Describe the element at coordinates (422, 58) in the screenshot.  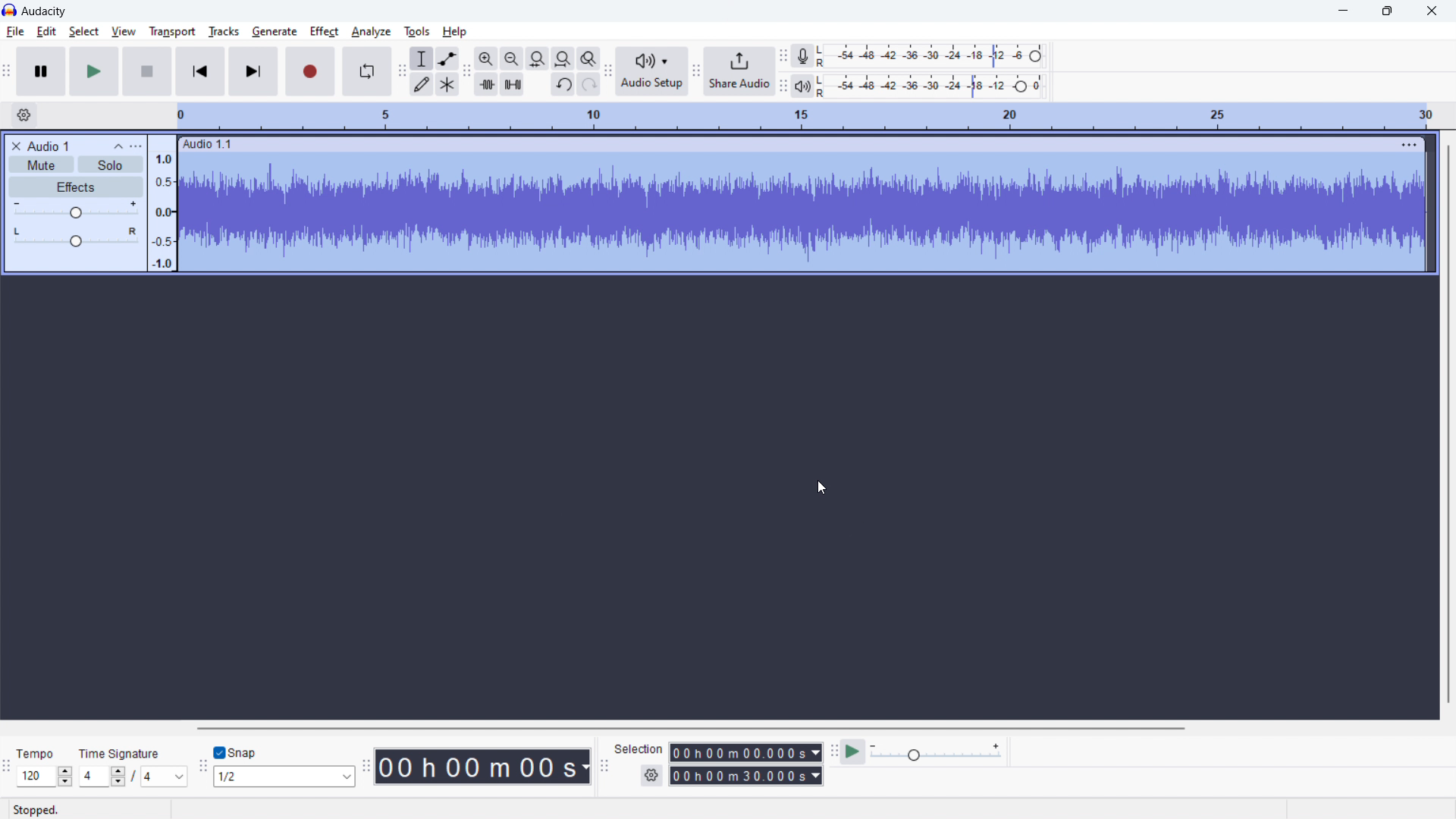
I see `selection tool` at that location.